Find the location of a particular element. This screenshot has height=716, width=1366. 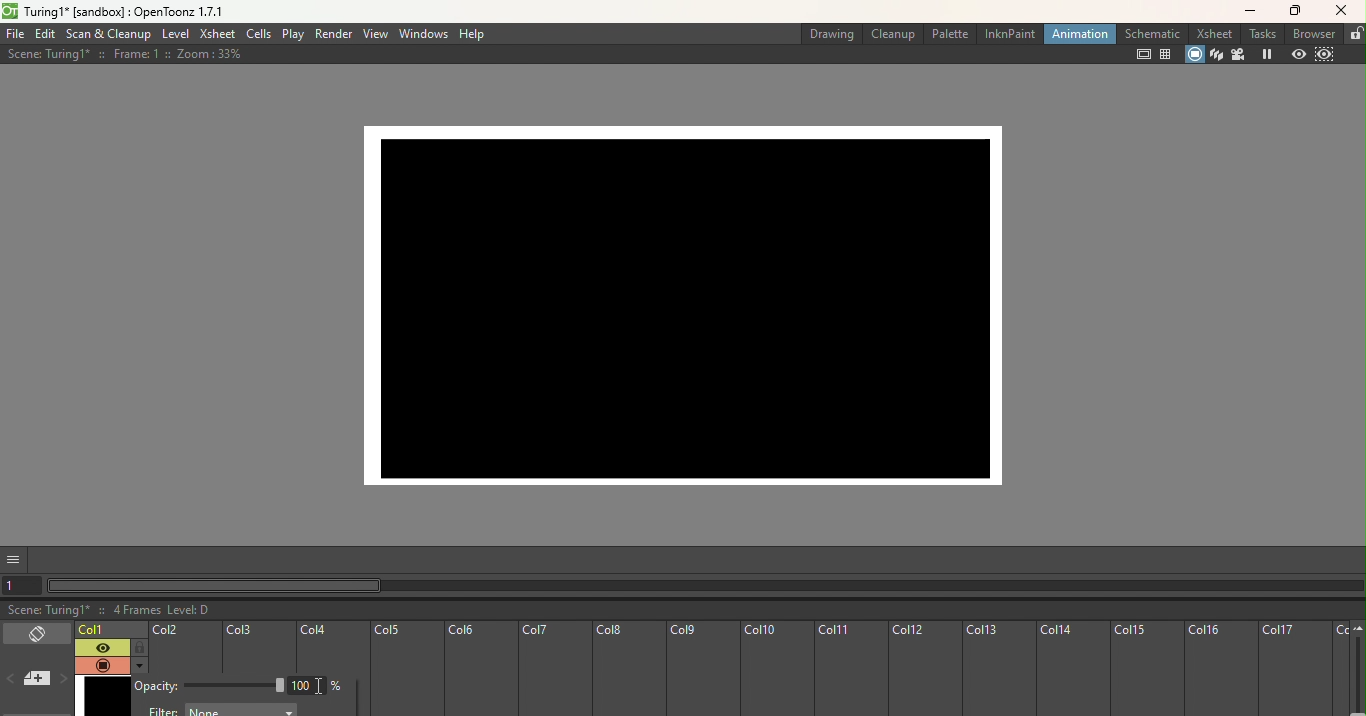

Previous memo is located at coordinates (12, 681).